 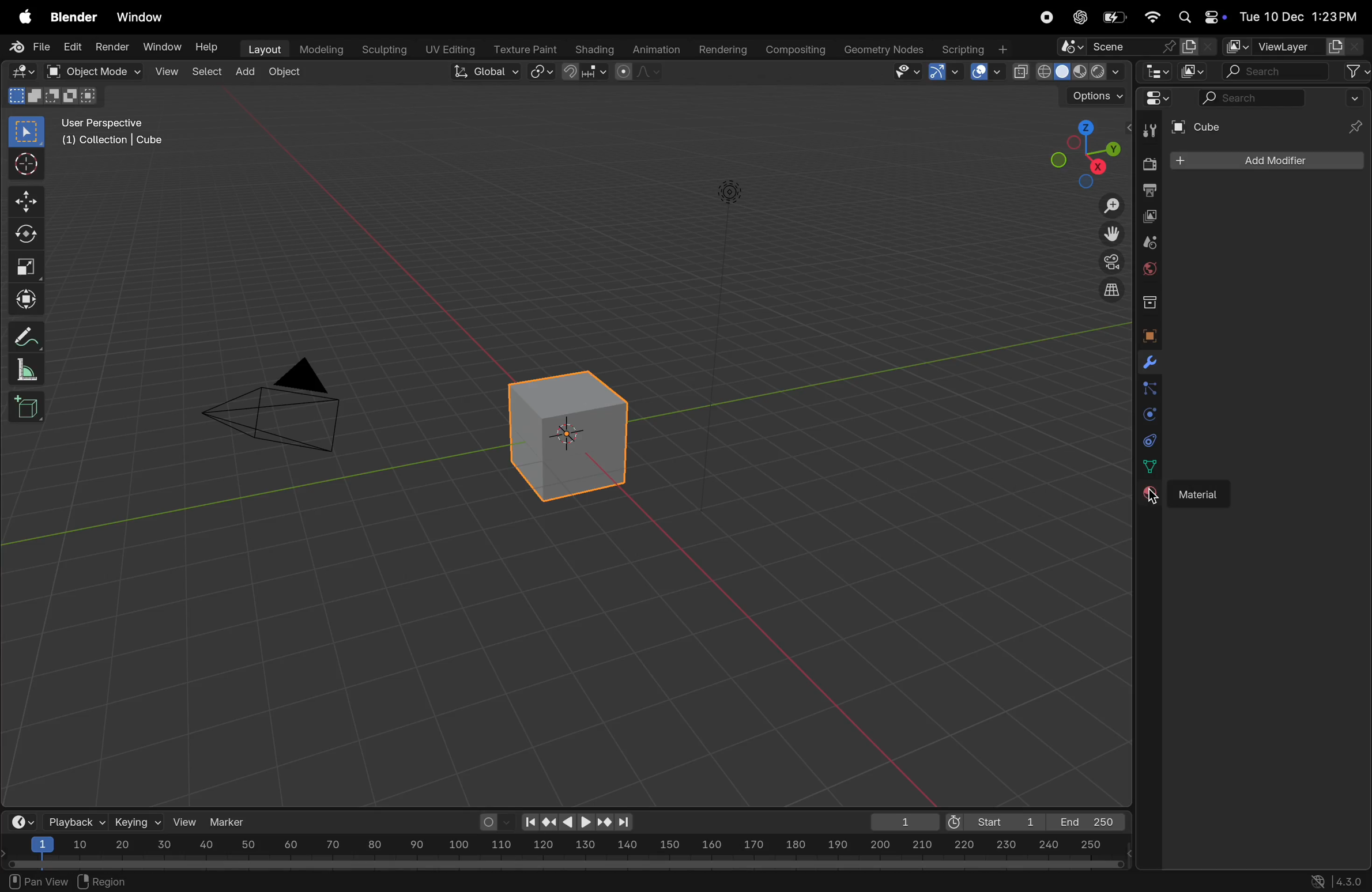 I want to click on camera view , so click(x=281, y=402).